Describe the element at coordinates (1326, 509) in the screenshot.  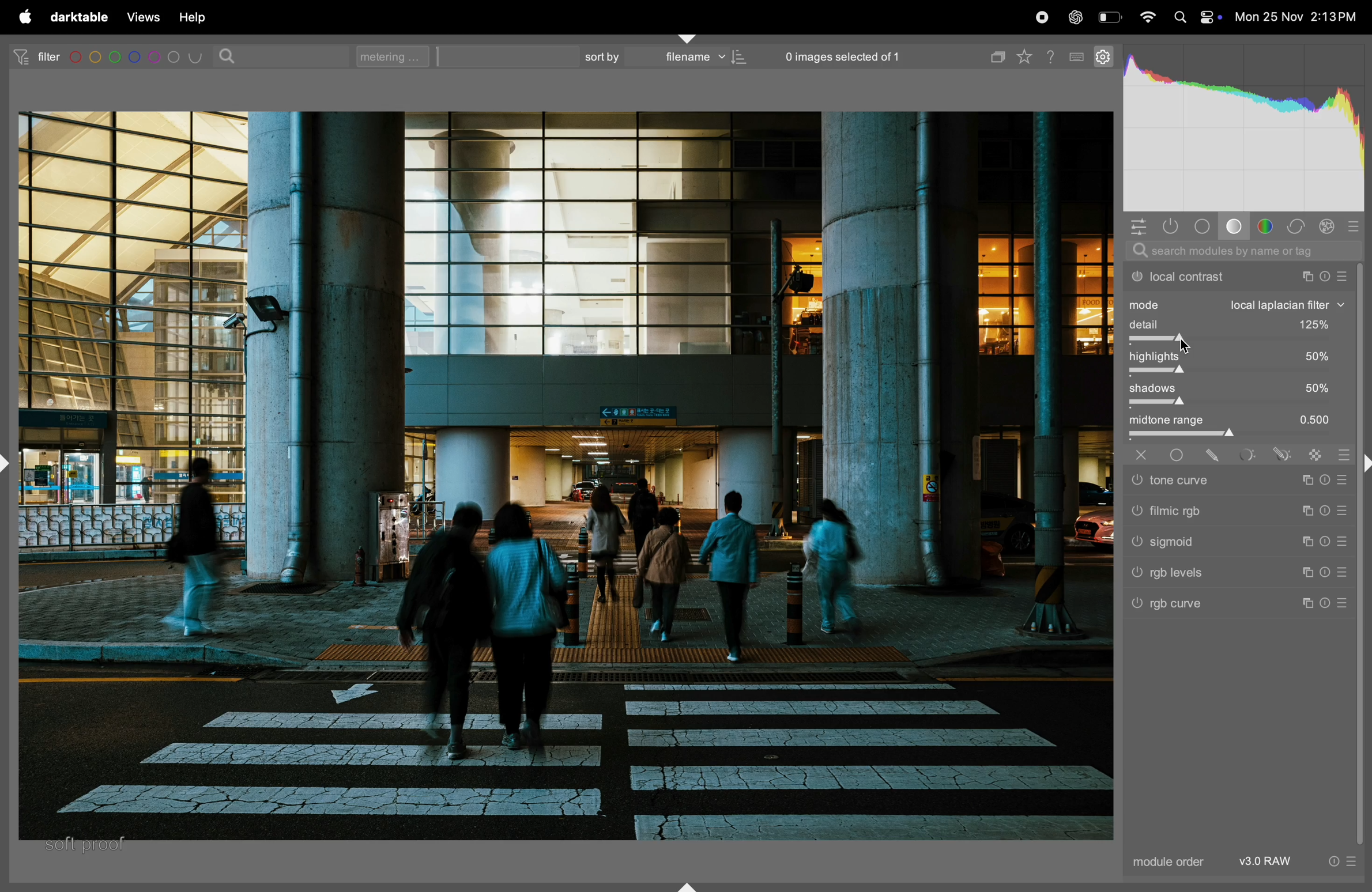
I see `reset` at that location.